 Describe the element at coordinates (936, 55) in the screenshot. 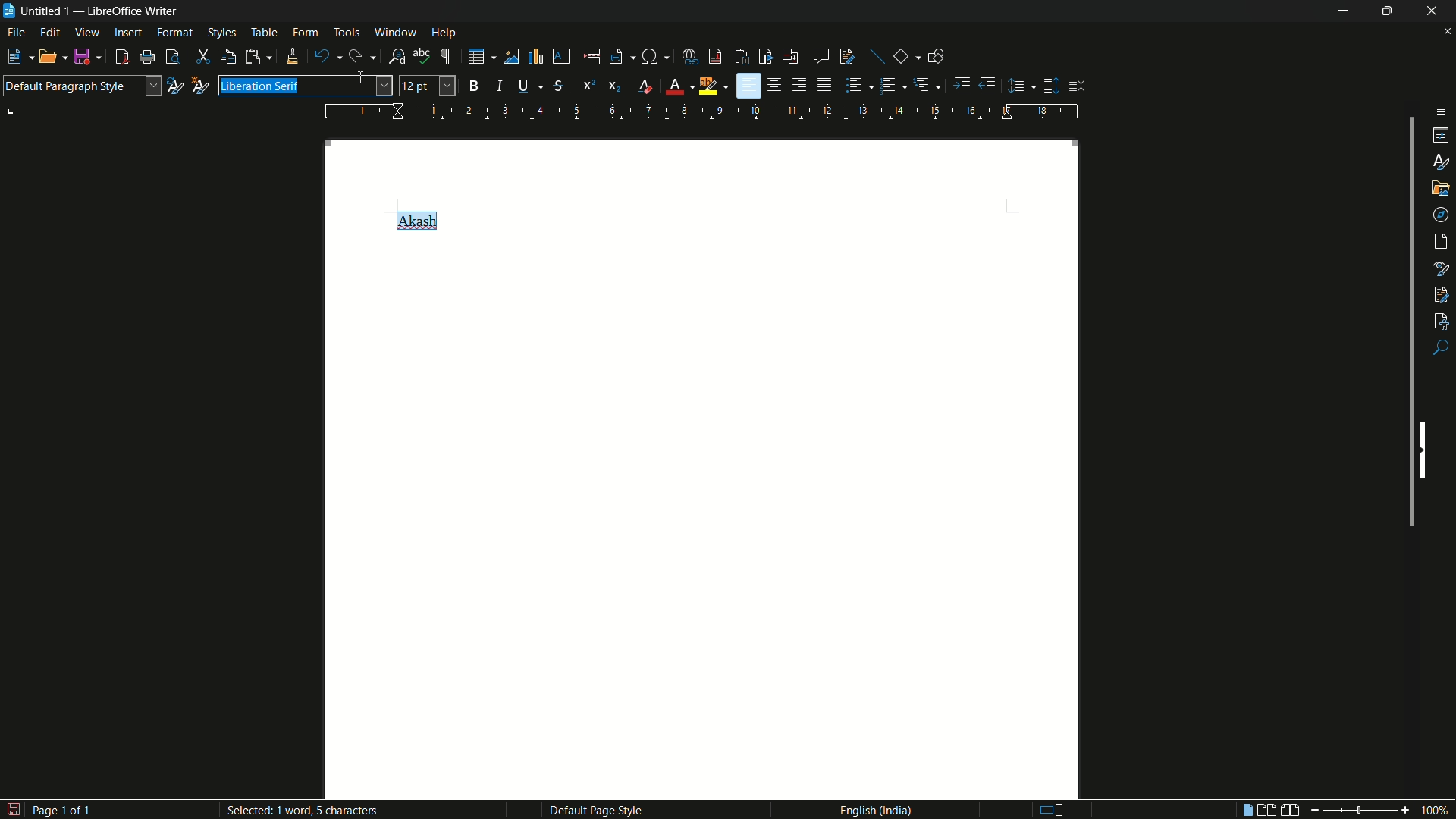

I see `show draw functions` at that location.